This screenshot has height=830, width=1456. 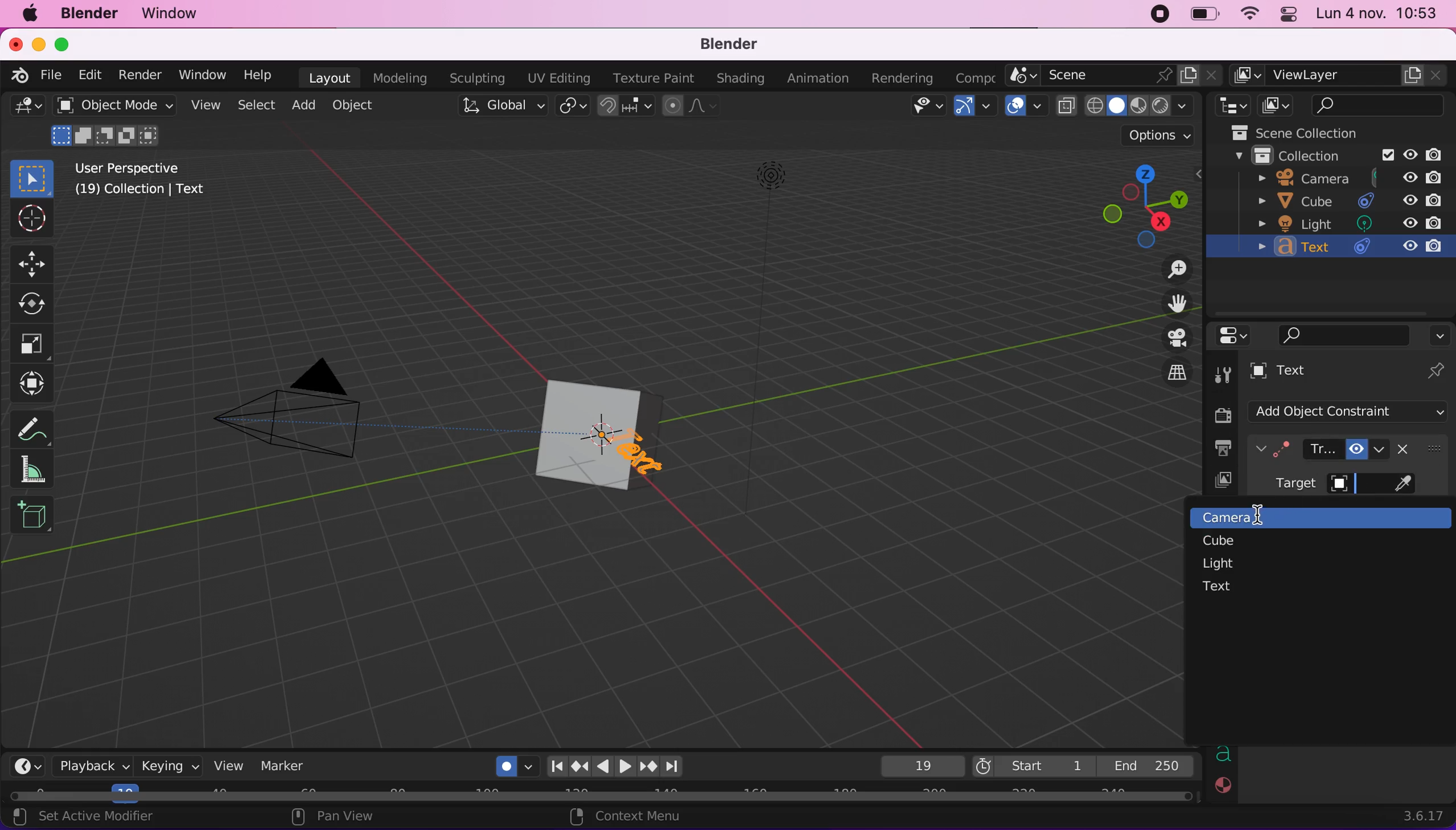 I want to click on text, so click(x=1348, y=248).